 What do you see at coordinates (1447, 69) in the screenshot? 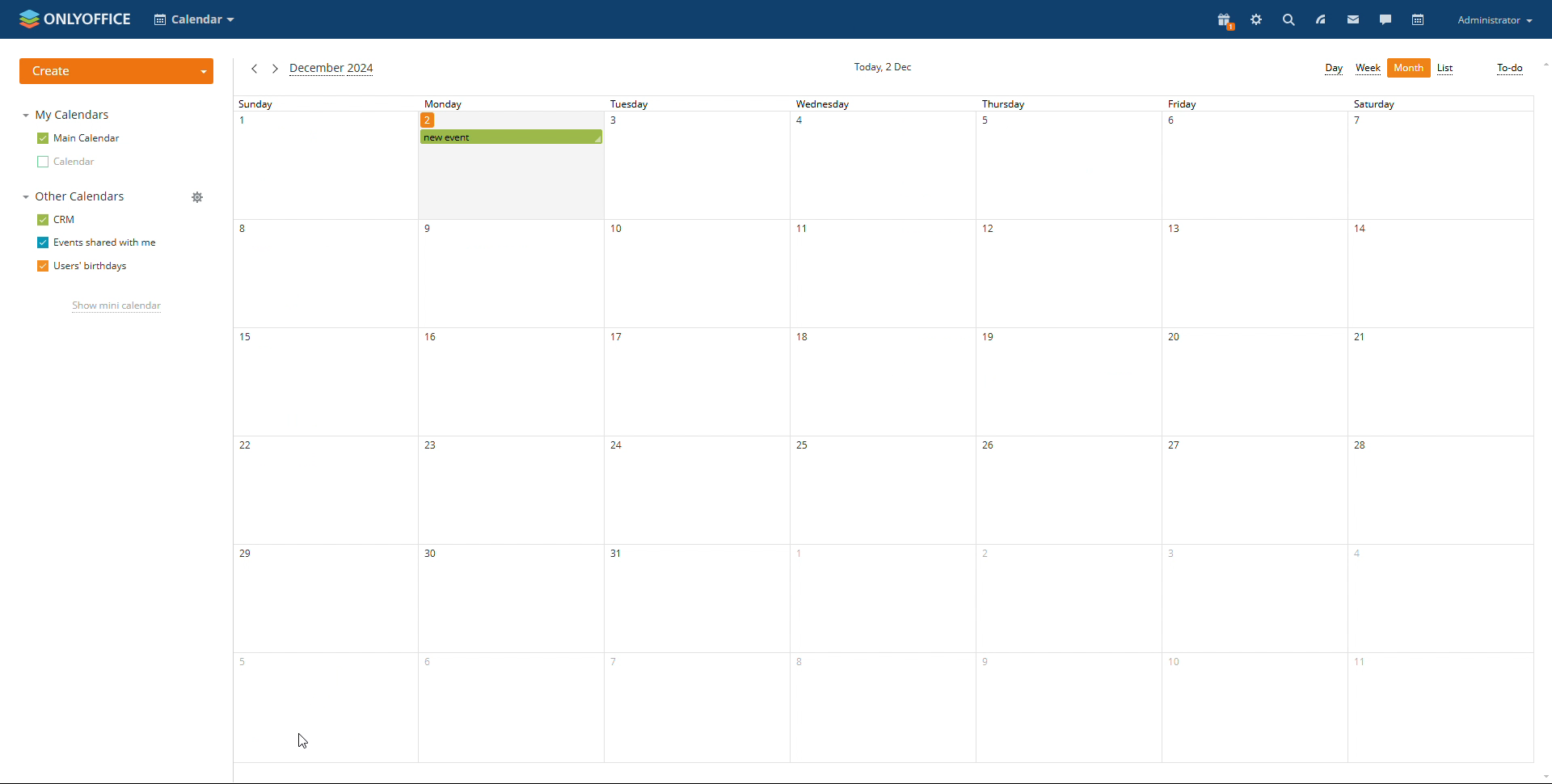
I see `list view` at bounding box center [1447, 69].